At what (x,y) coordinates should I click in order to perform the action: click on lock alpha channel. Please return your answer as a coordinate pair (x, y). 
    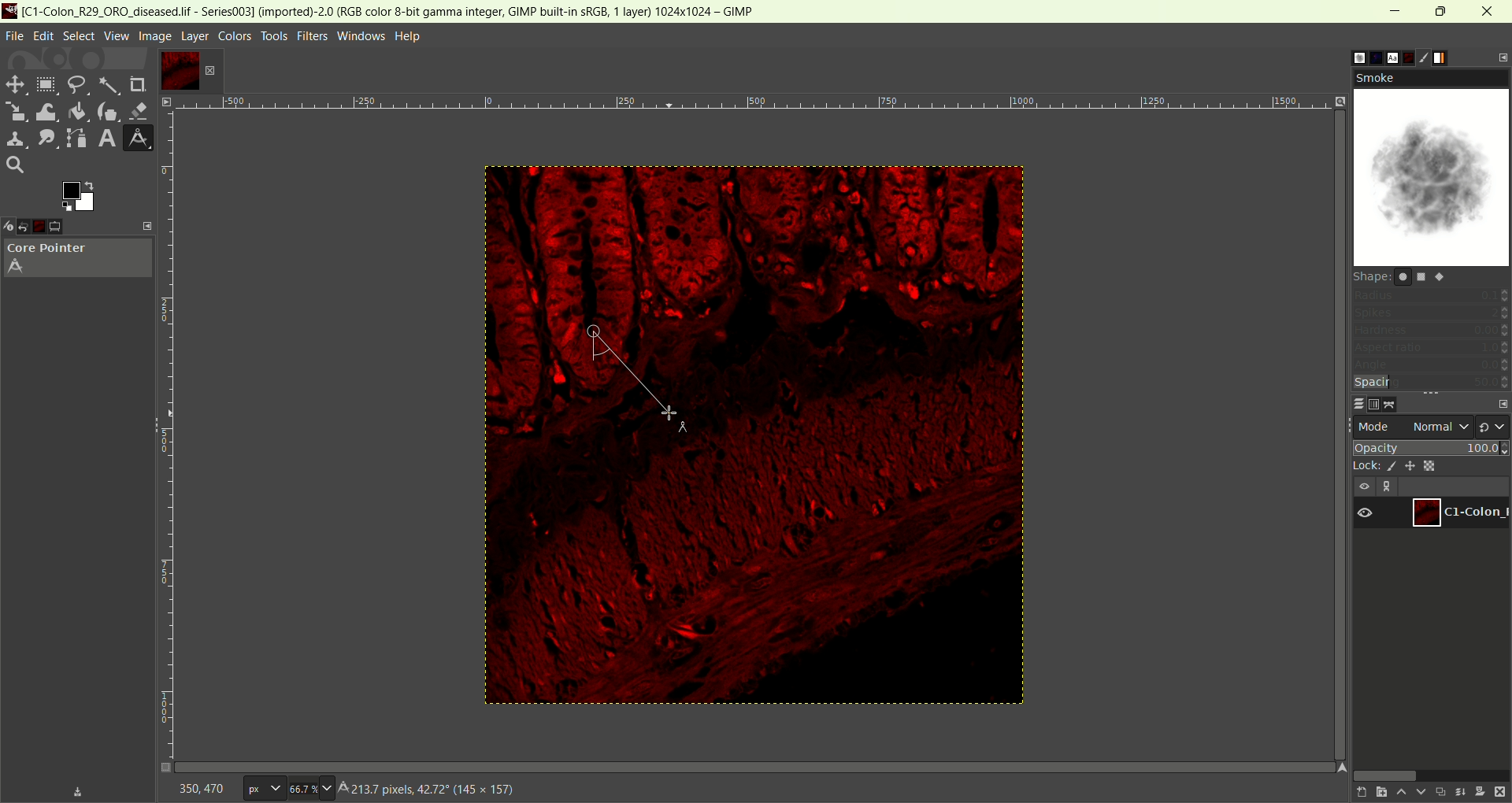
    Looking at the image, I should click on (1429, 465).